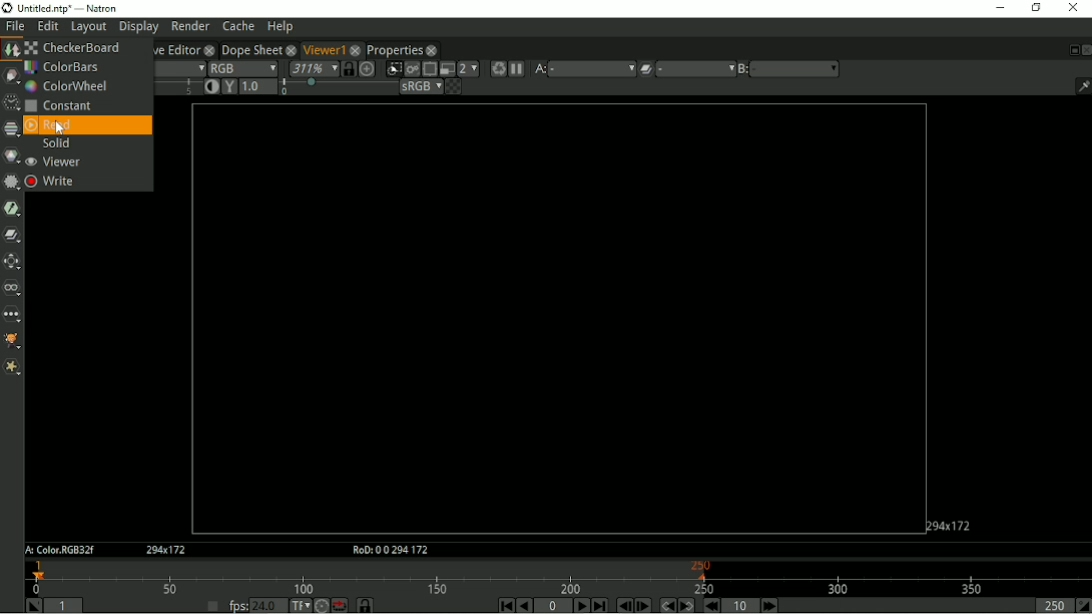 This screenshot has height=614, width=1092. Describe the element at coordinates (421, 87) in the screenshot. I see `sRGB` at that location.